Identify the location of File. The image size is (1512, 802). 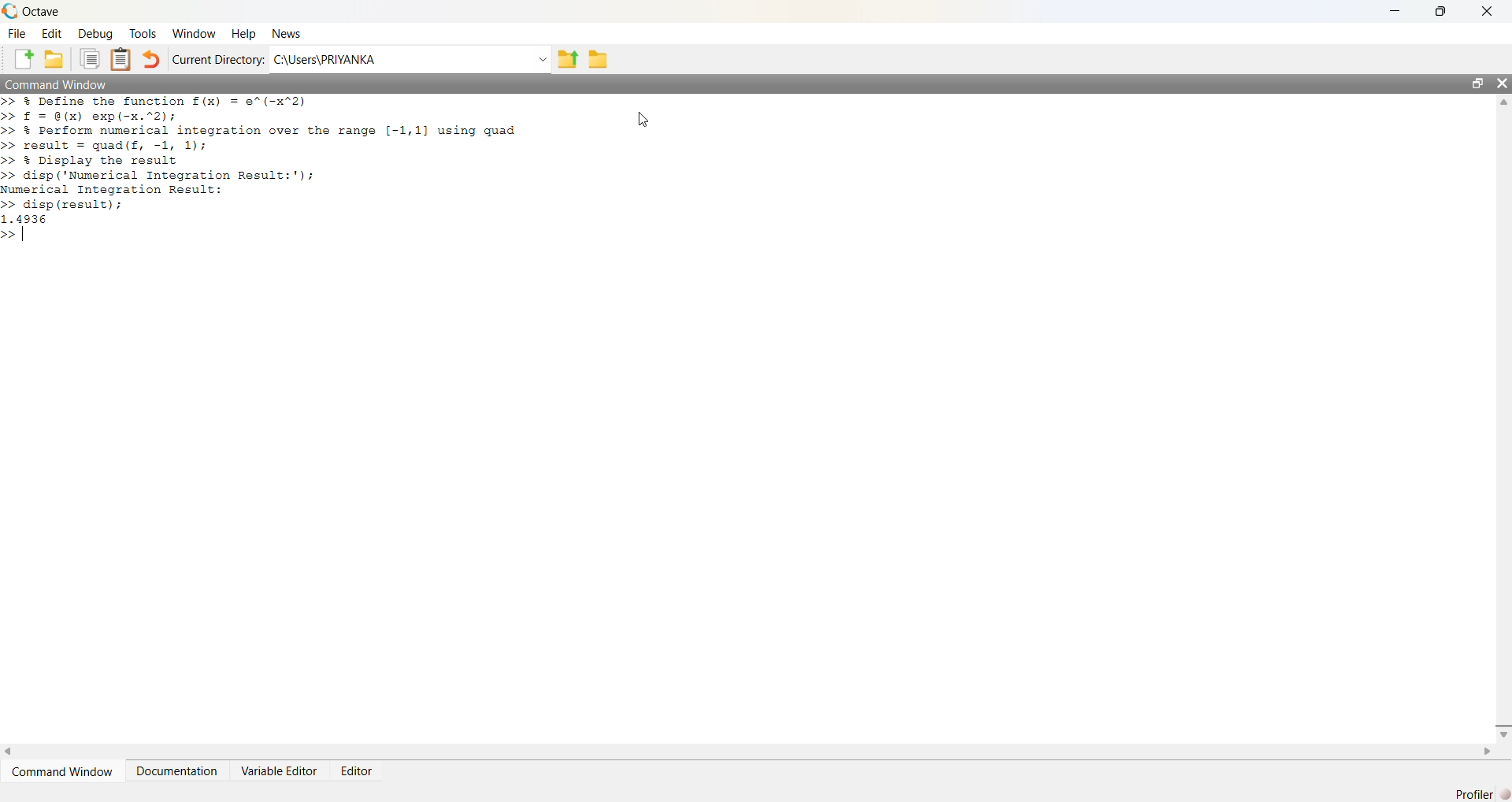
(19, 33).